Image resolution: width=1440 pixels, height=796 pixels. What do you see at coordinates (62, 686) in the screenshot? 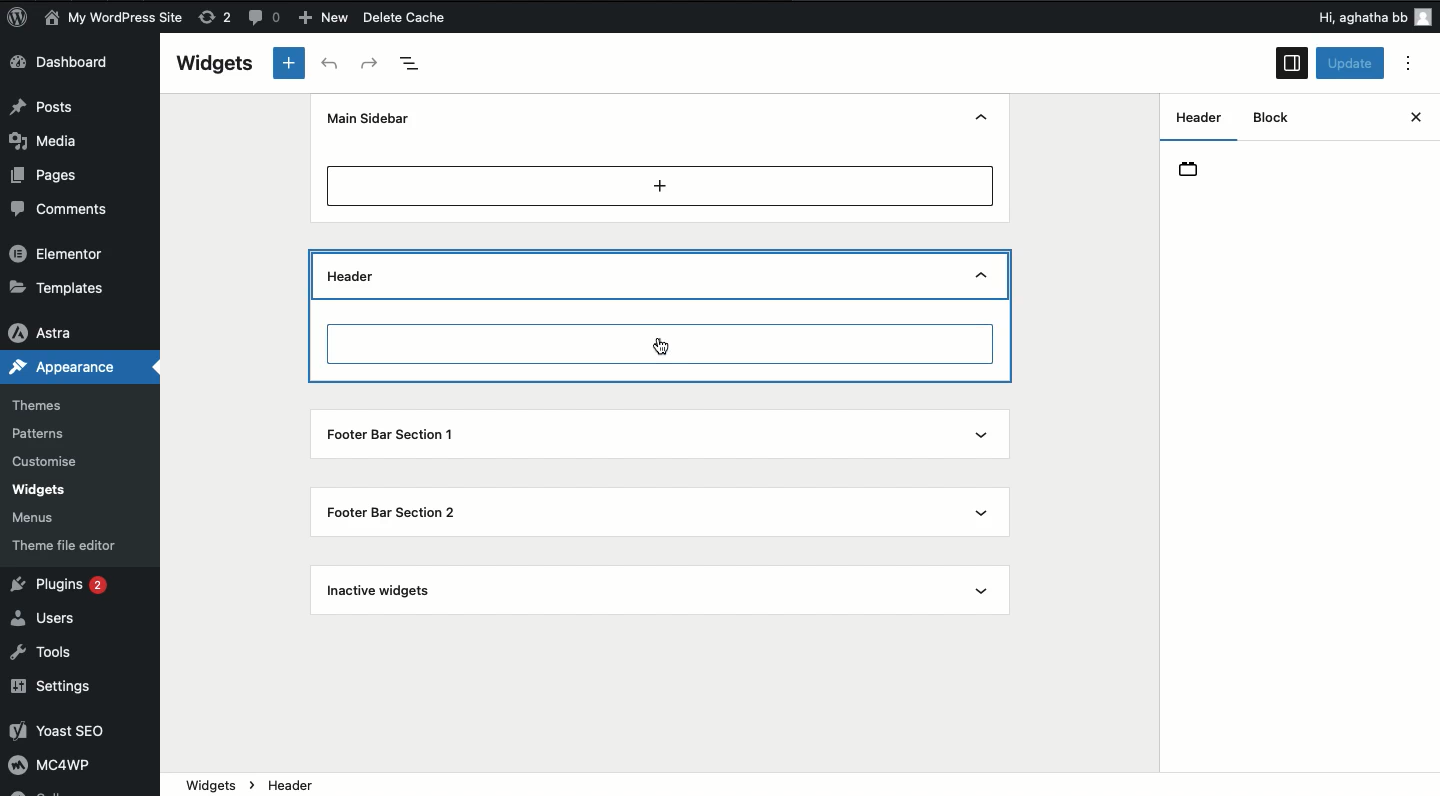
I see `Settings` at bounding box center [62, 686].